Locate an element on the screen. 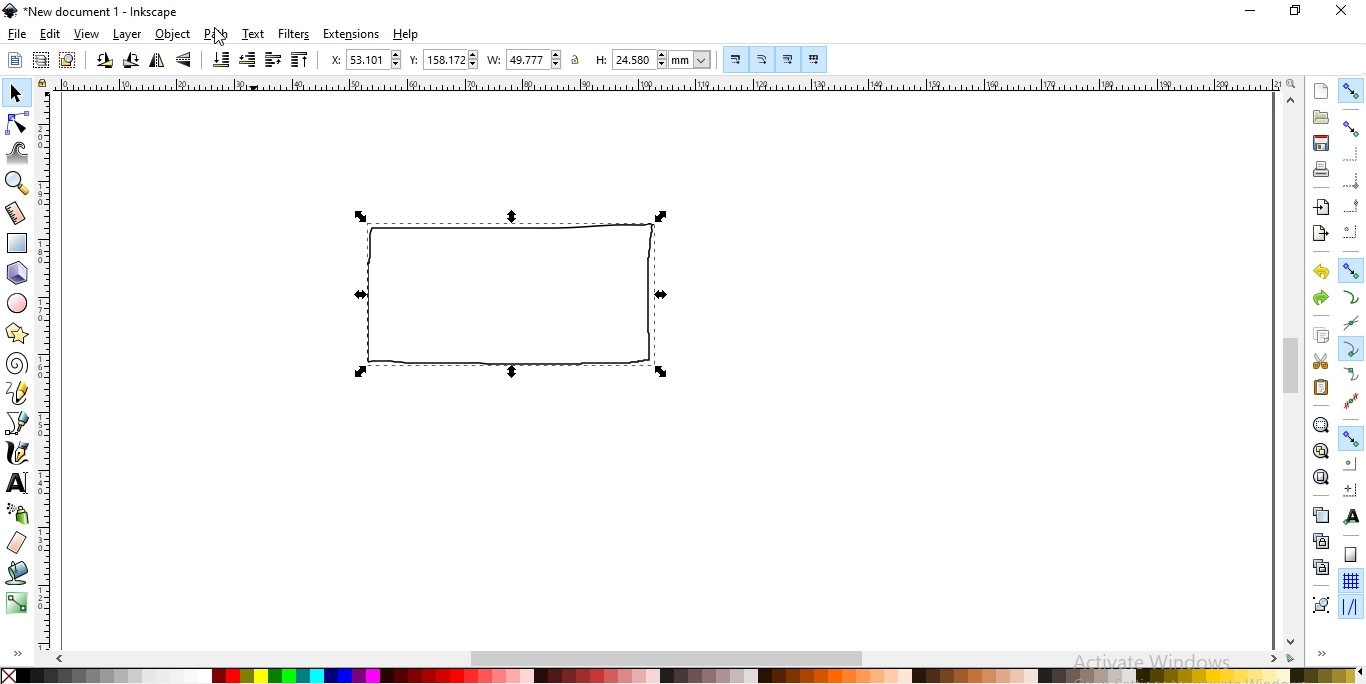 This screenshot has width=1366, height=684. create and edit text objects is located at coordinates (14, 481).